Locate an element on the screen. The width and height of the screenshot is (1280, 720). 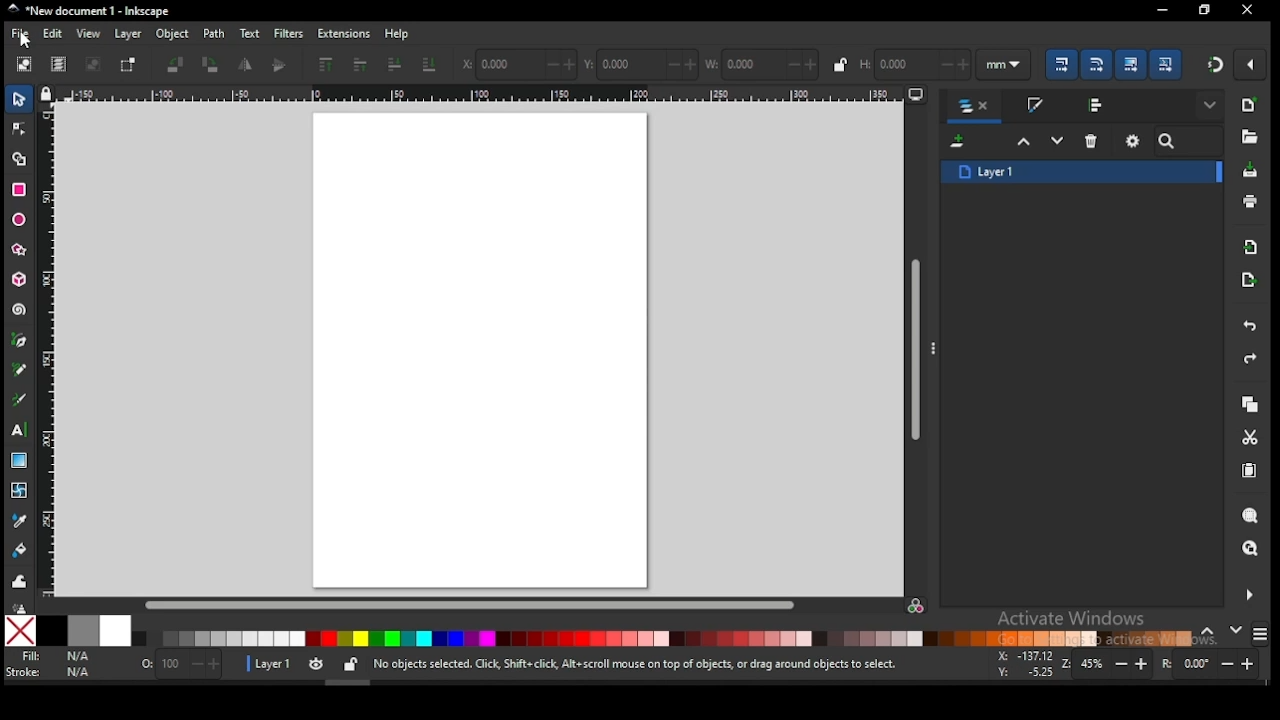
stroke and fill is located at coordinates (1034, 106).